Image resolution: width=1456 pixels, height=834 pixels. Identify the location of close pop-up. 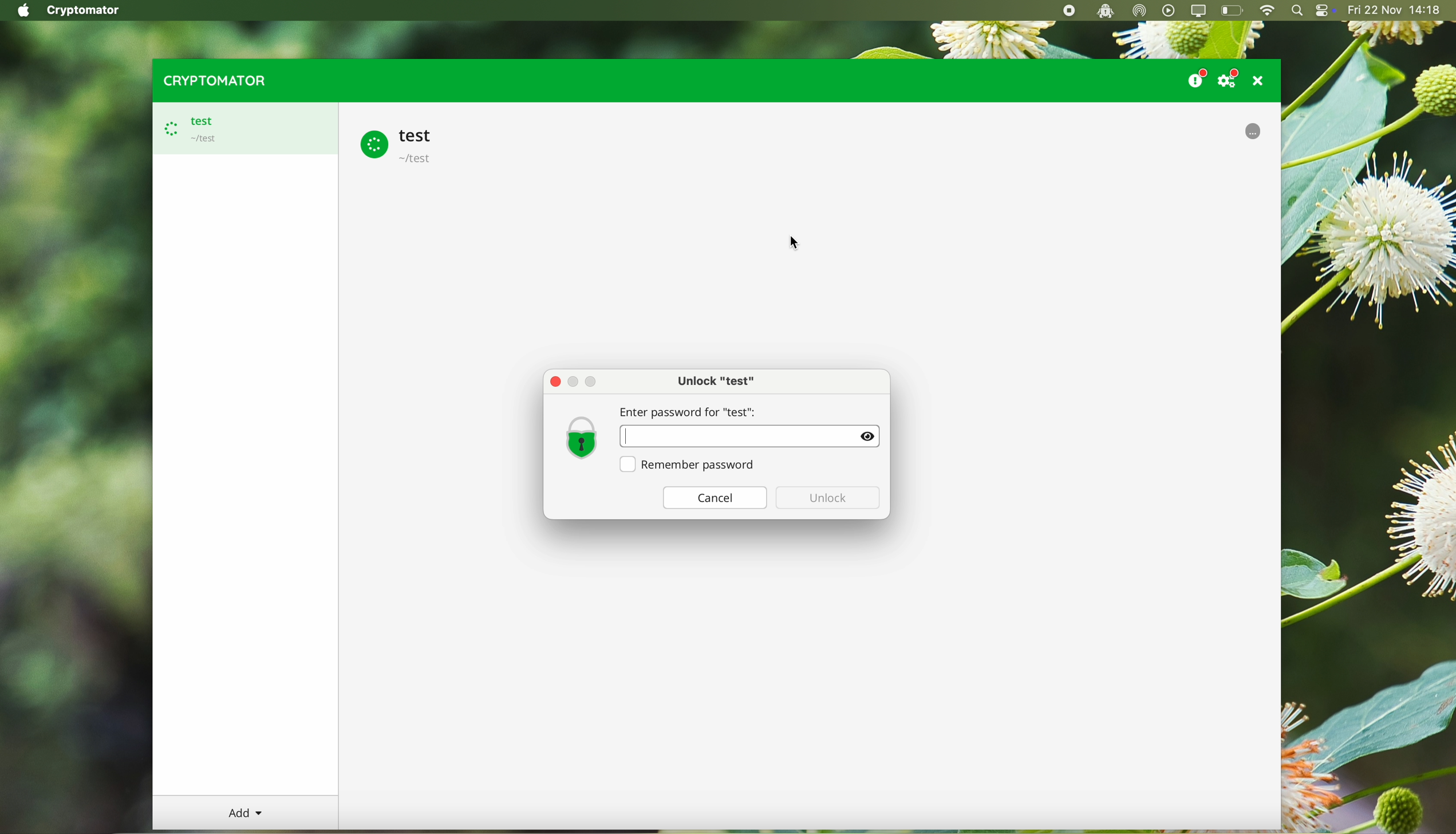
(556, 382).